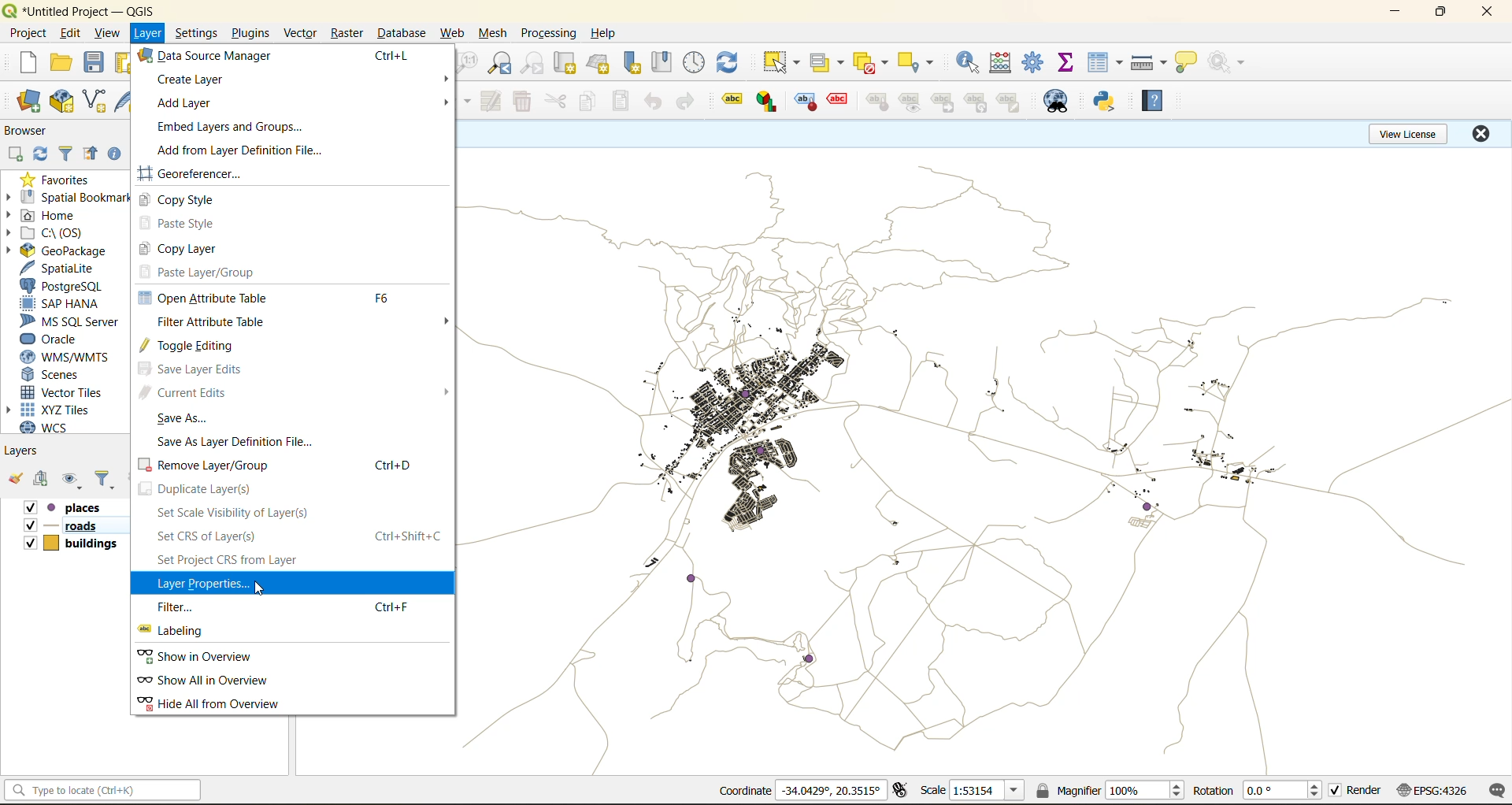  I want to click on geopackage, so click(74, 250).